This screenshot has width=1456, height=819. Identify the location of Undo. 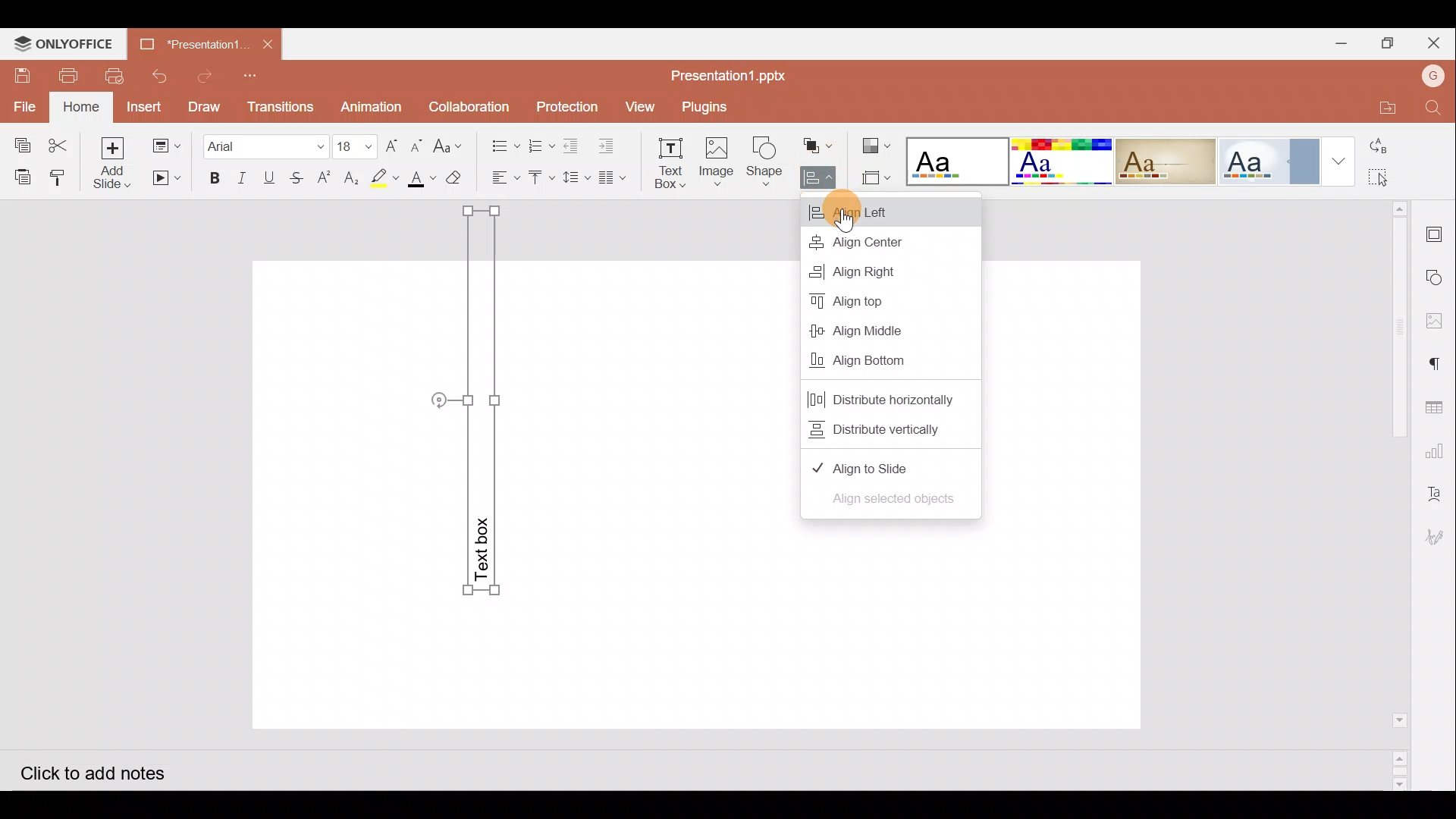
(157, 76).